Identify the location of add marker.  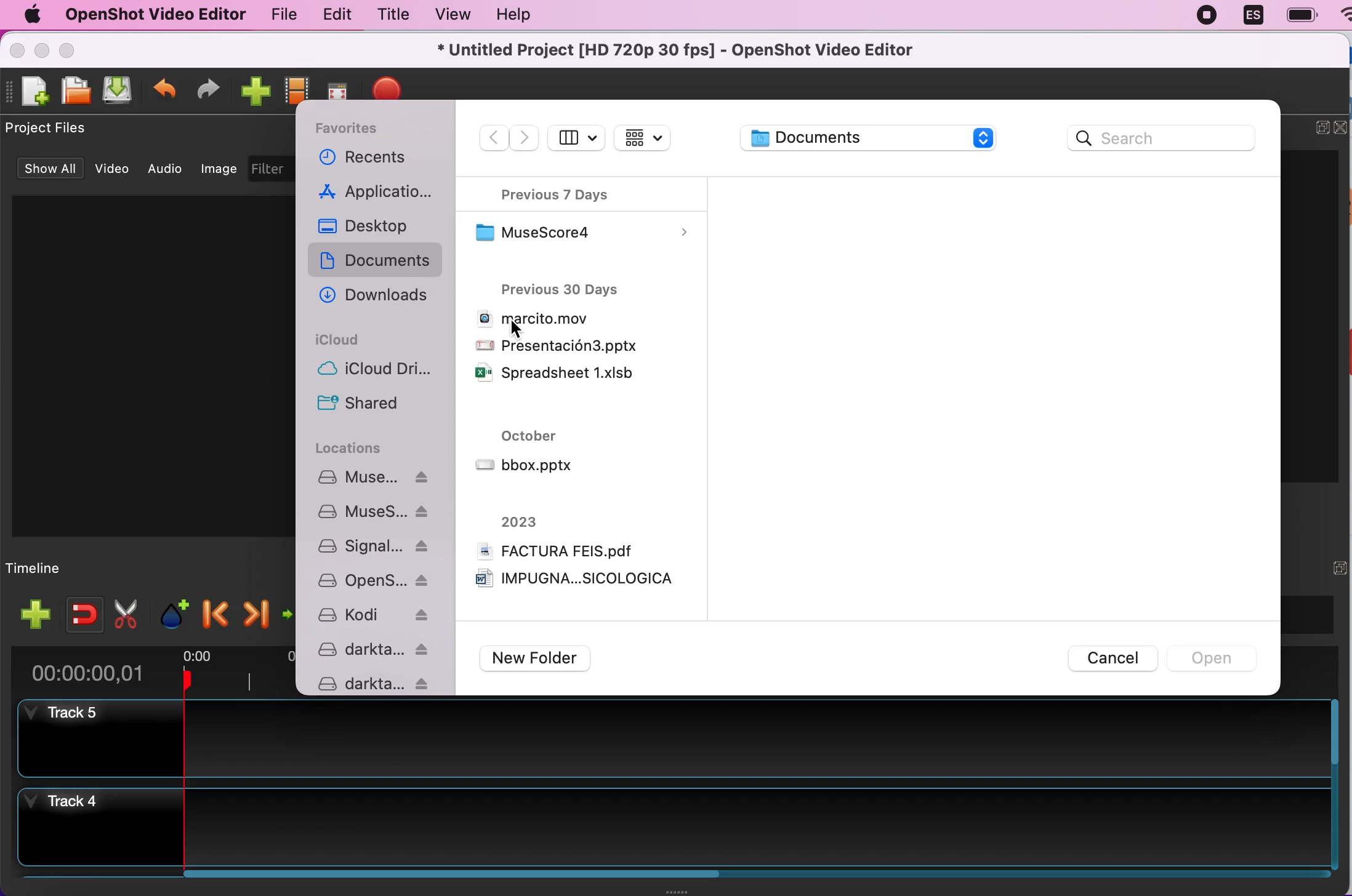
(175, 612).